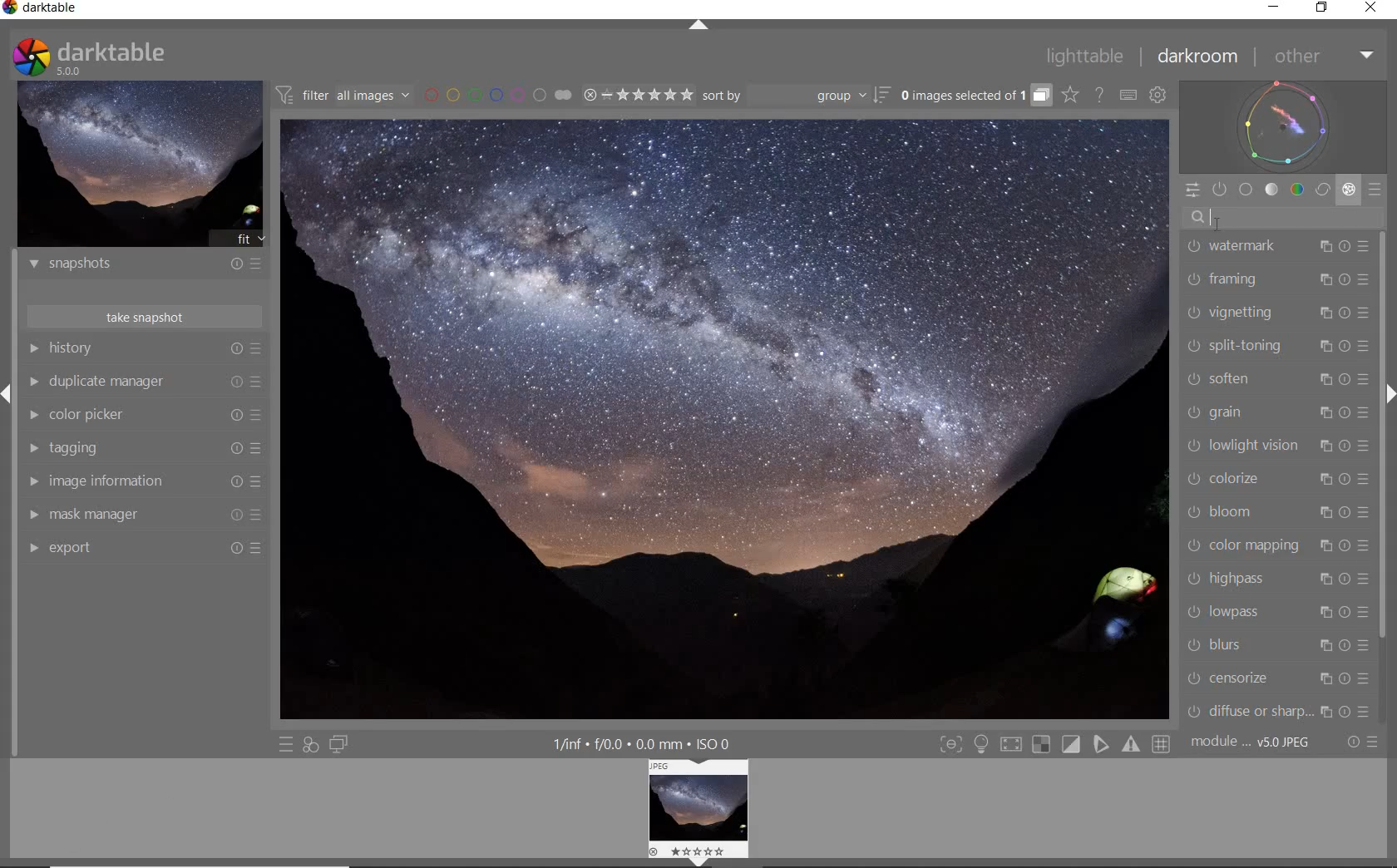 The image size is (1397, 868). Describe the element at coordinates (1105, 747) in the screenshot. I see `toggle softproofing` at that location.